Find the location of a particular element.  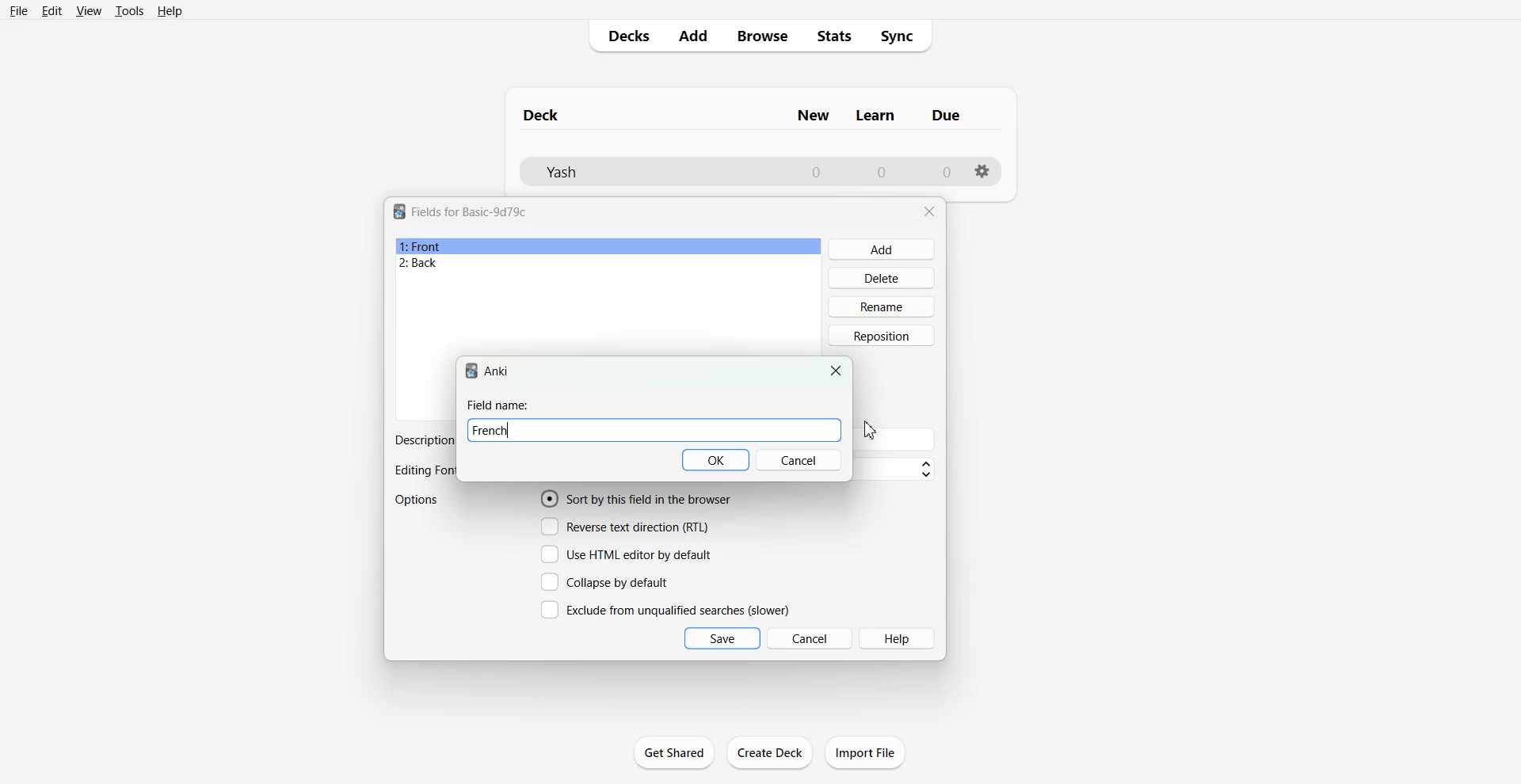

Number of New cards is located at coordinates (816, 172).